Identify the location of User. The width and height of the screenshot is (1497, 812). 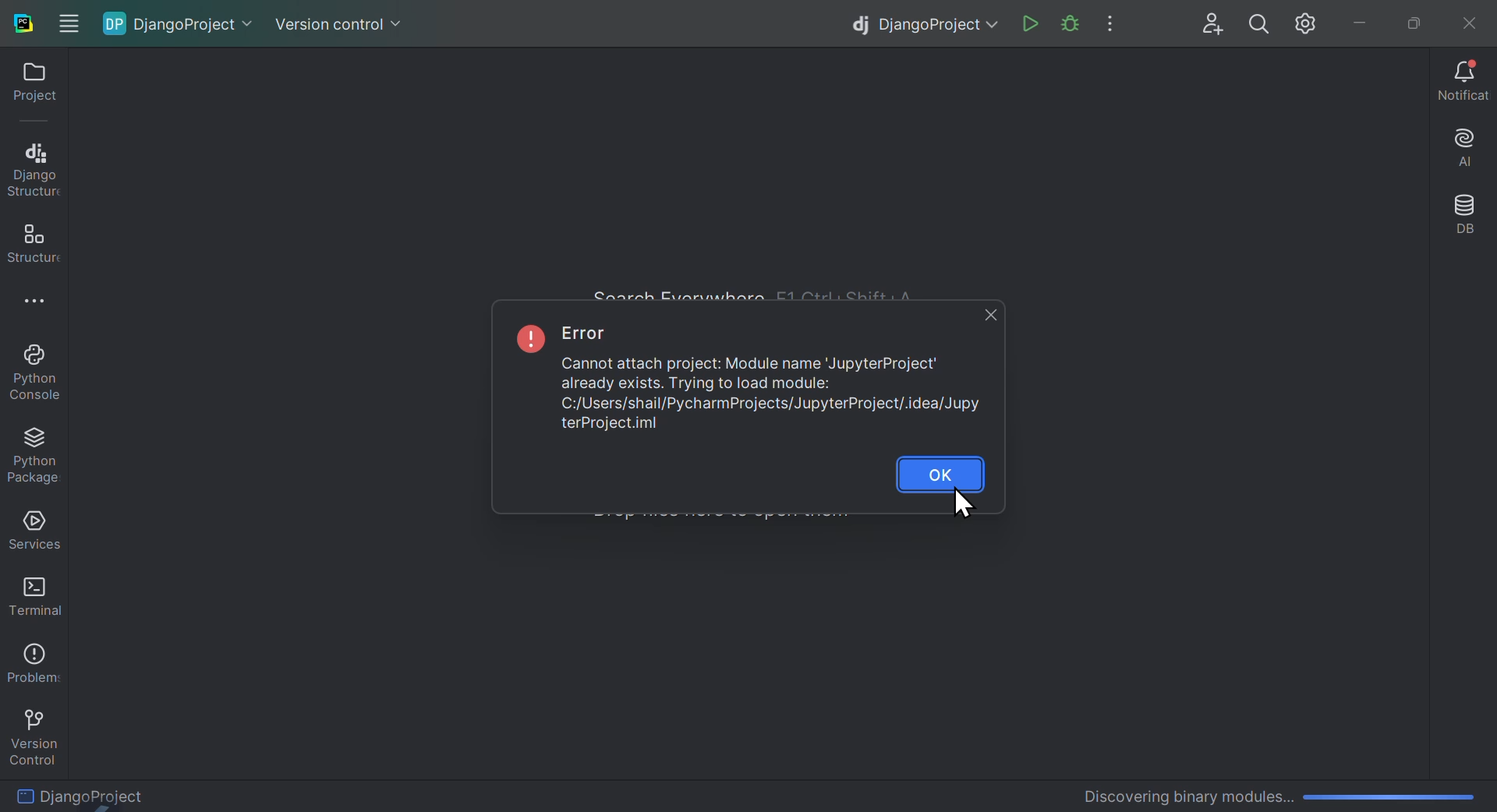
(1214, 24).